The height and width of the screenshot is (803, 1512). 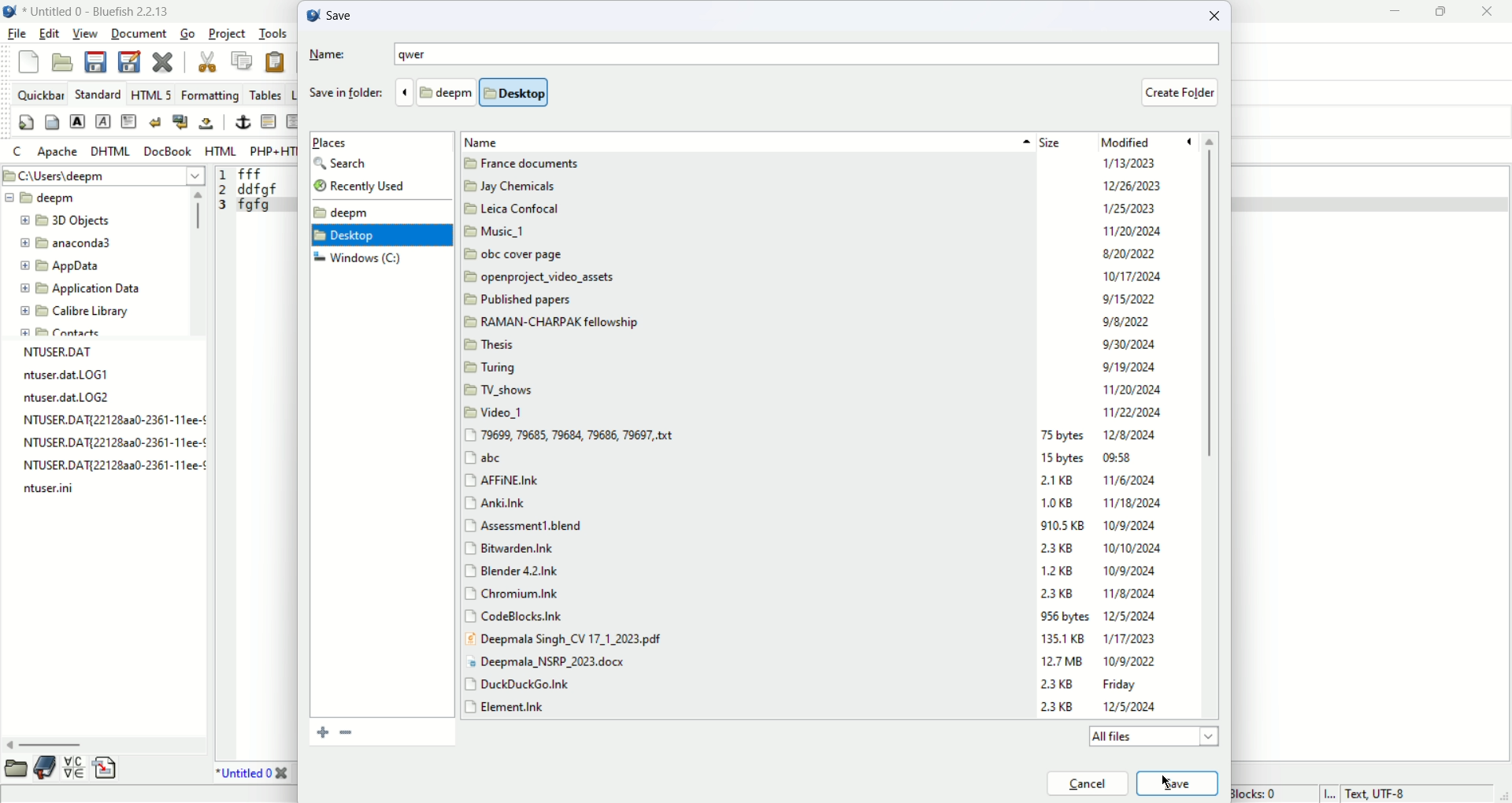 I want to click on file name, so click(x=109, y=444).